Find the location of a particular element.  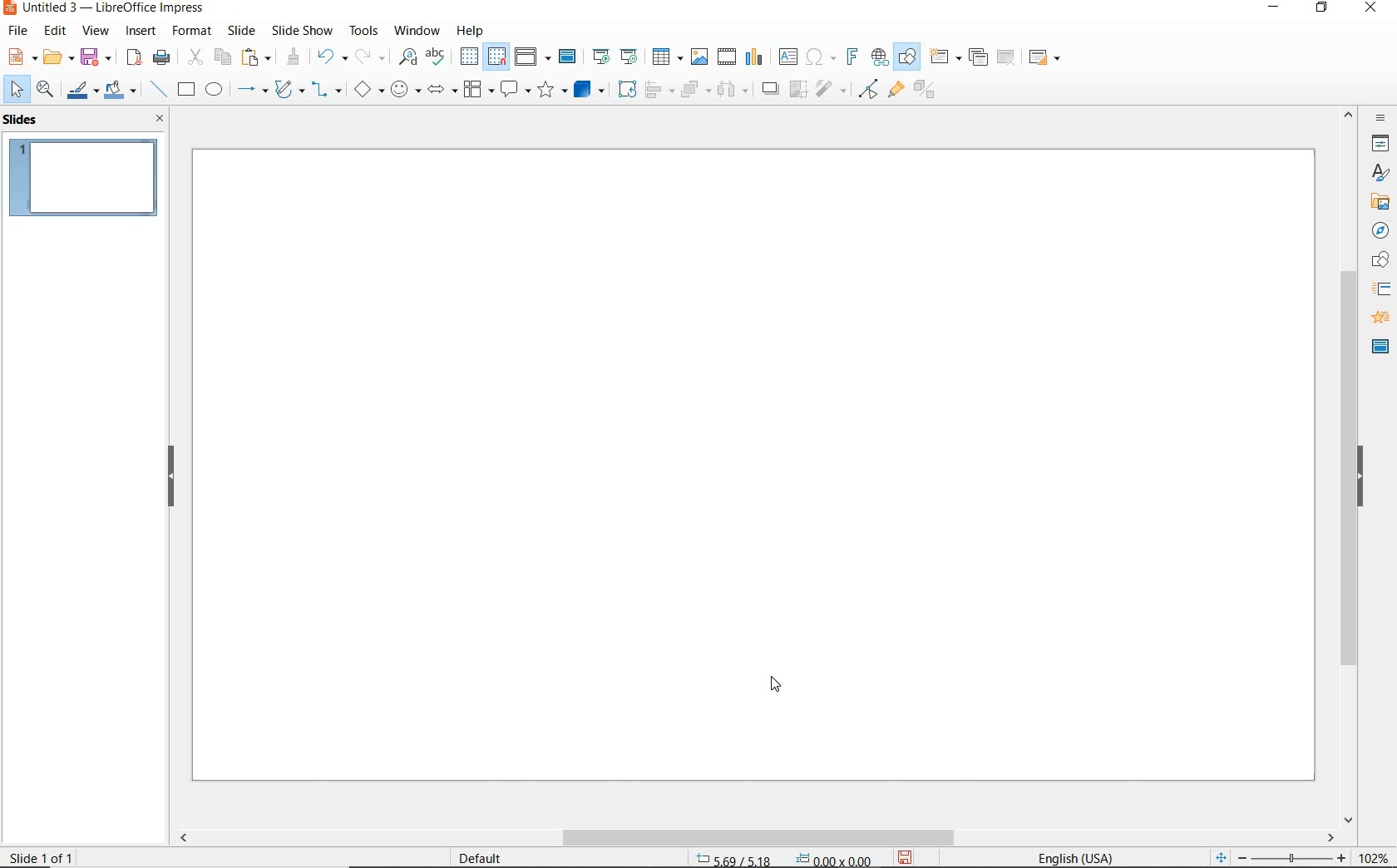

SLIDE1 is located at coordinates (83, 180).